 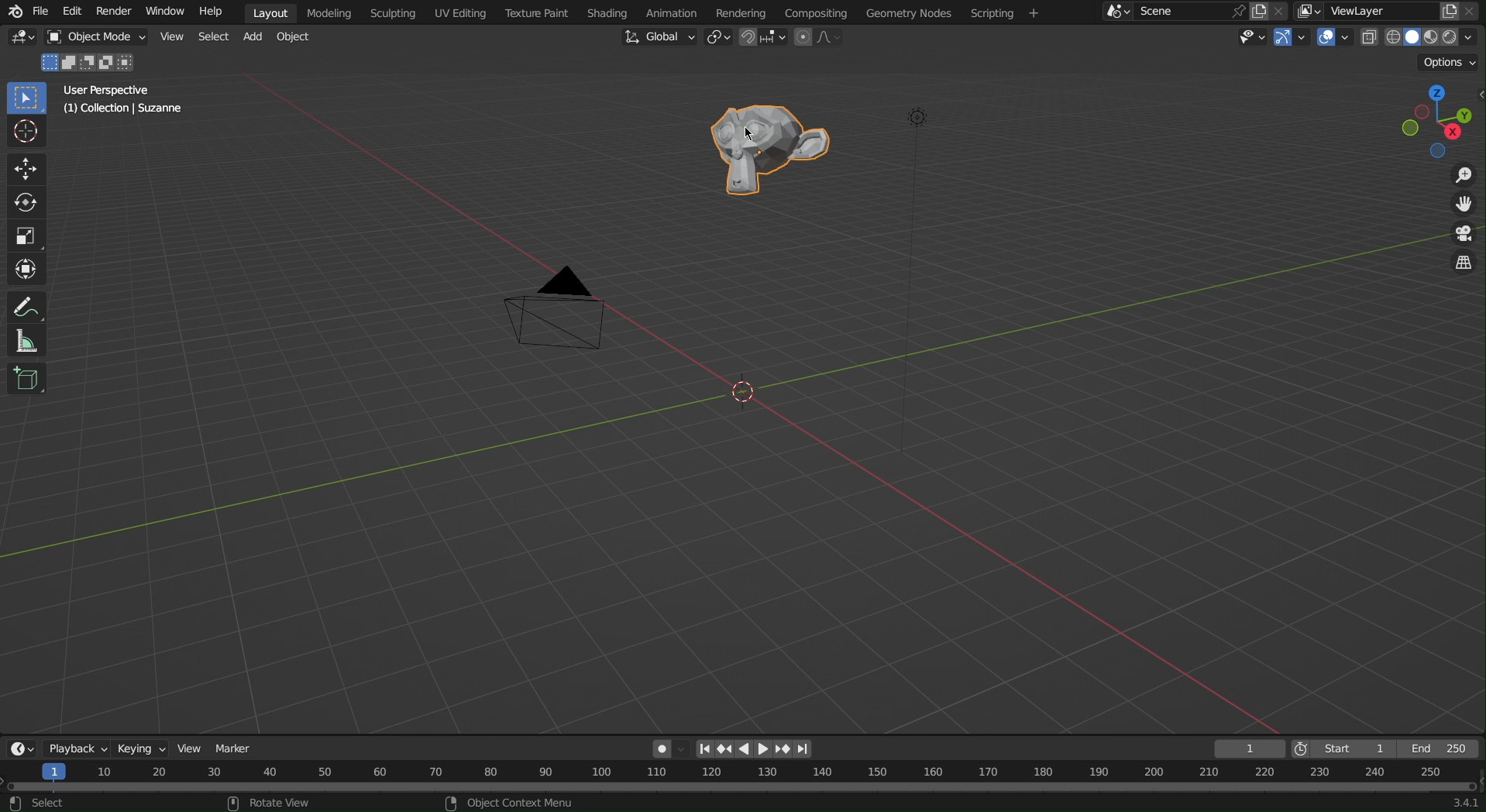 I want to click on Object, so click(x=298, y=40).